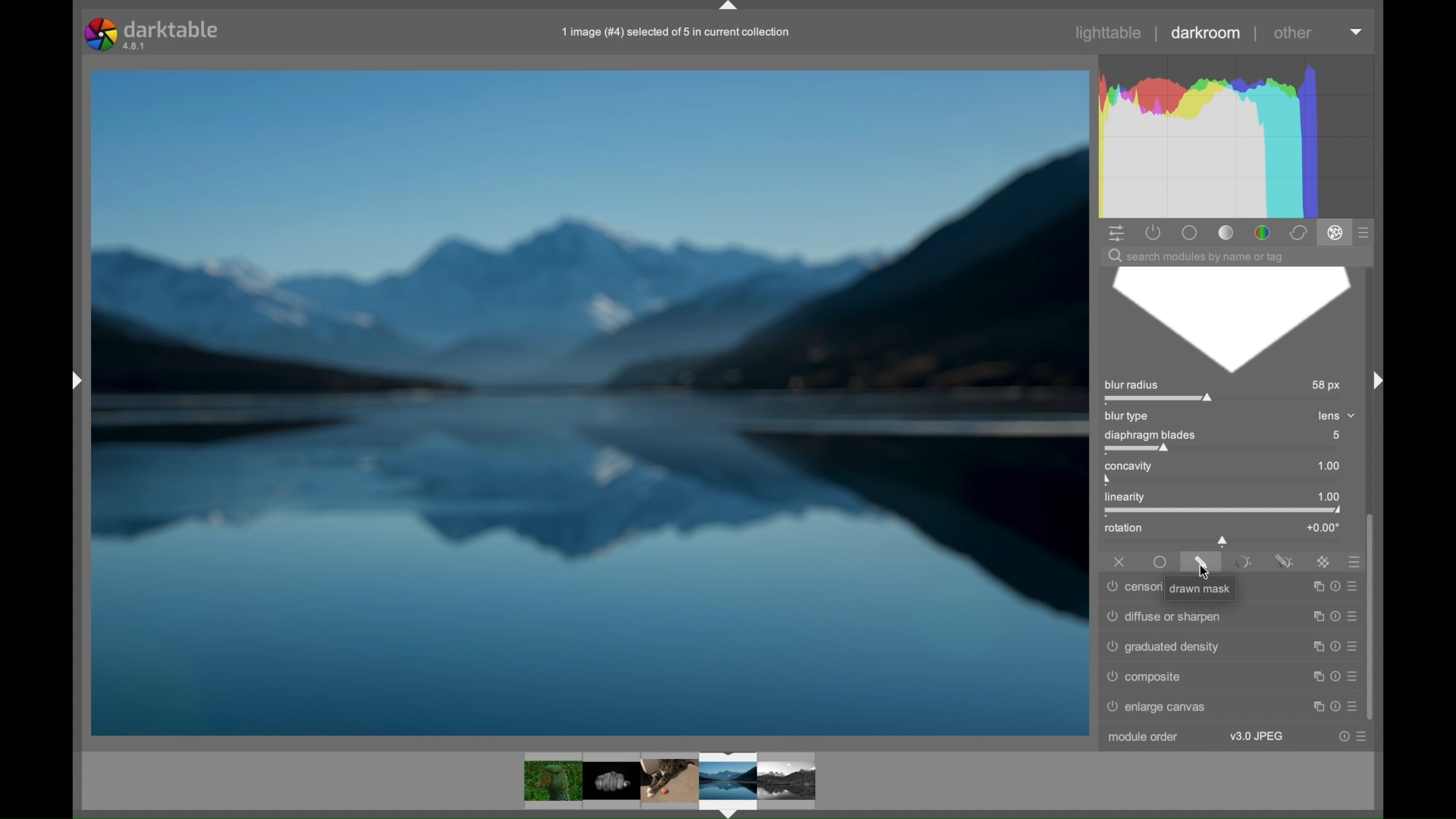  Describe the element at coordinates (1165, 707) in the screenshot. I see `enlarge canvas` at that location.